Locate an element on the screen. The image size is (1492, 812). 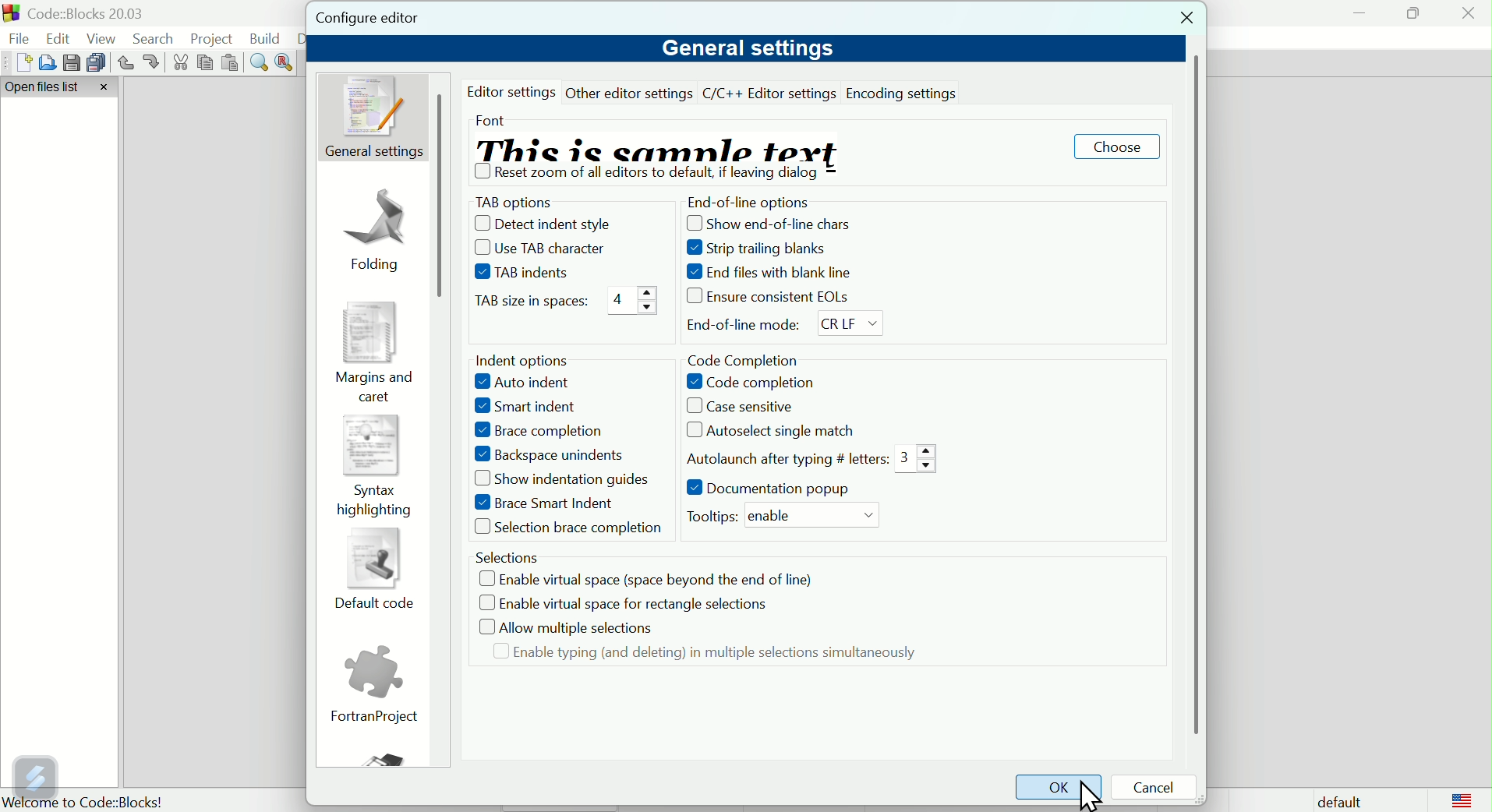
Configure editor is located at coordinates (384, 19).